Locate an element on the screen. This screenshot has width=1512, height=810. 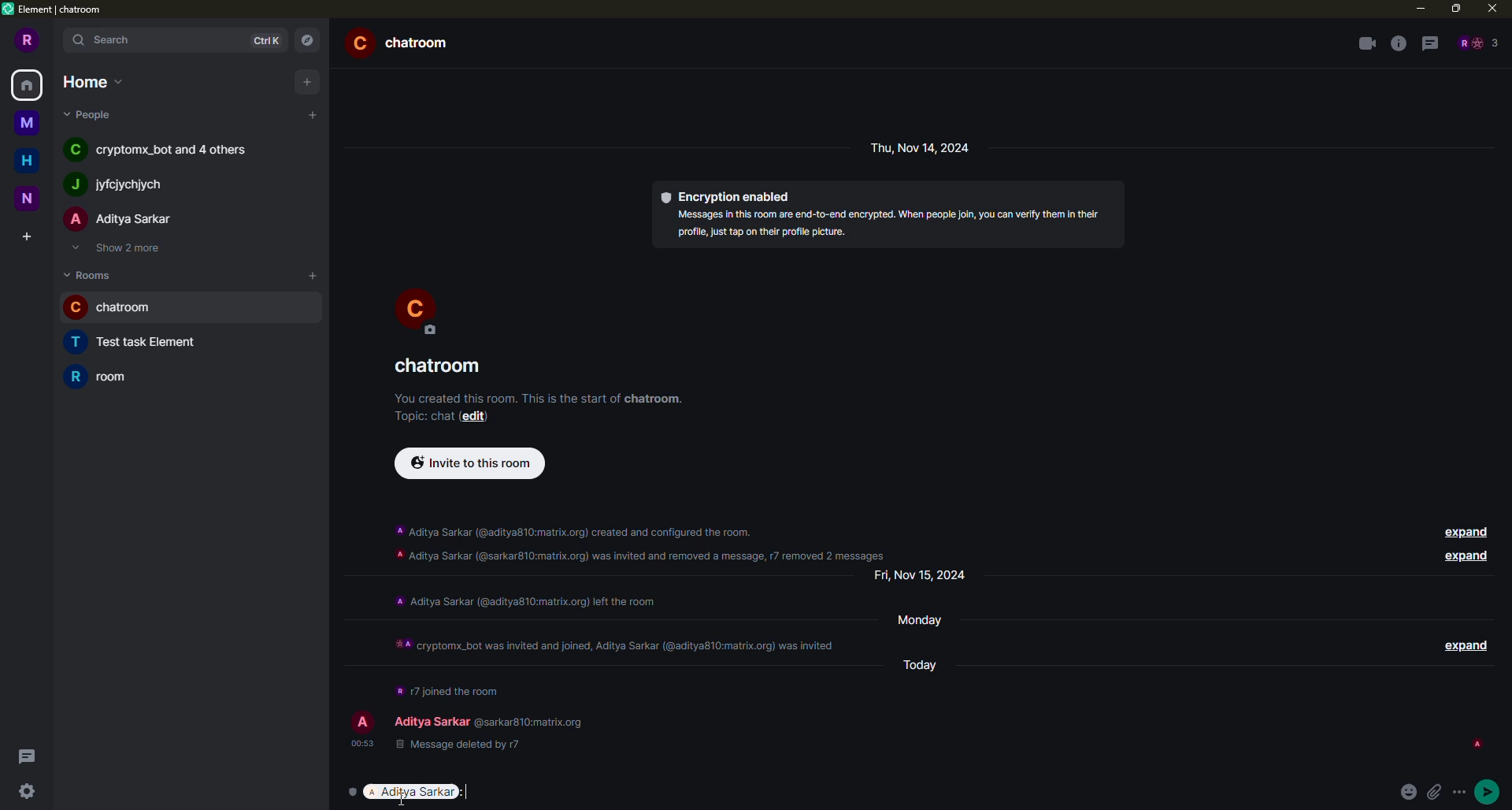
people is located at coordinates (164, 151).